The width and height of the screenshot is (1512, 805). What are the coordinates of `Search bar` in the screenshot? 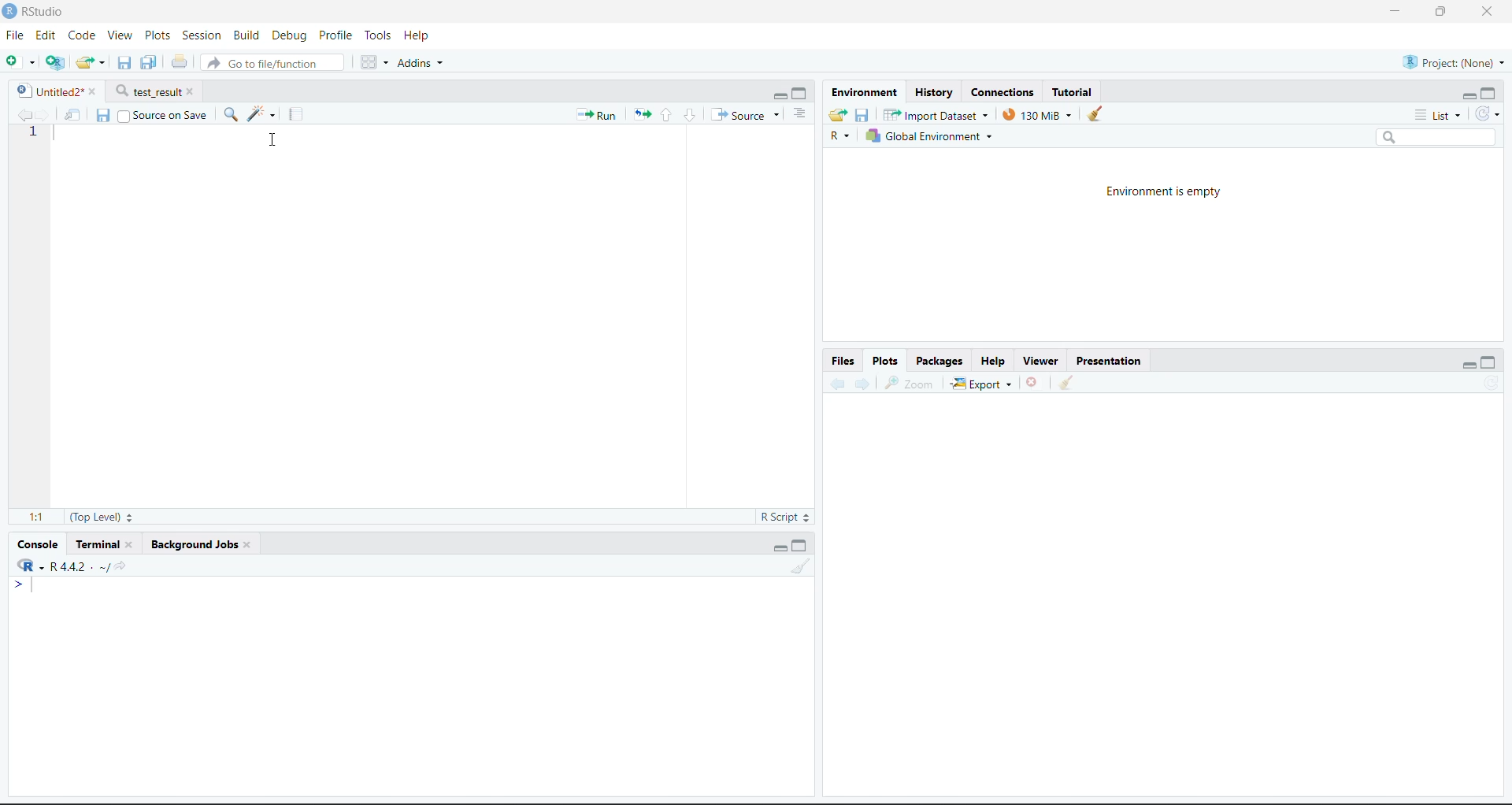 It's located at (1440, 139).